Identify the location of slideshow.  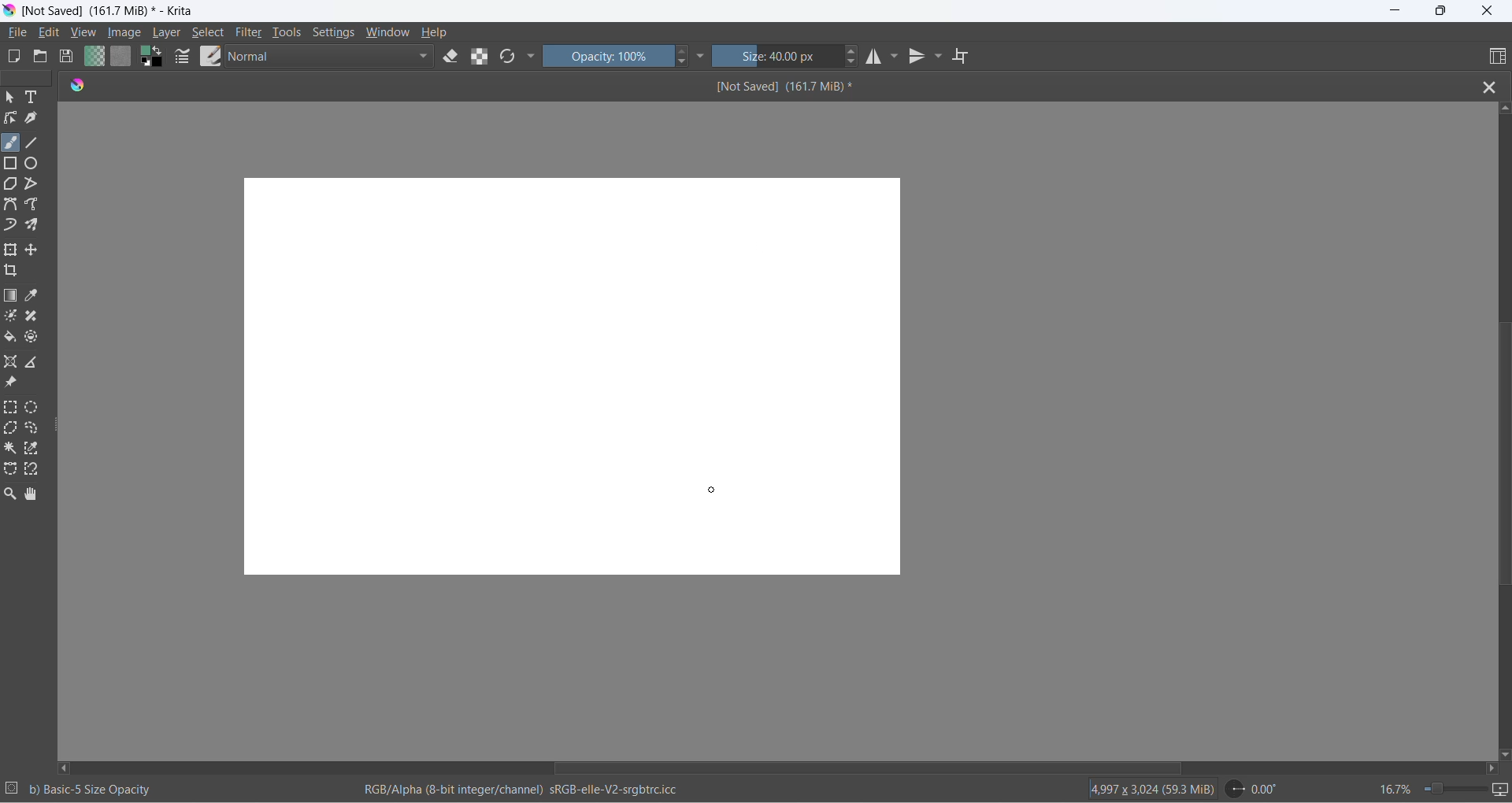
(1502, 790).